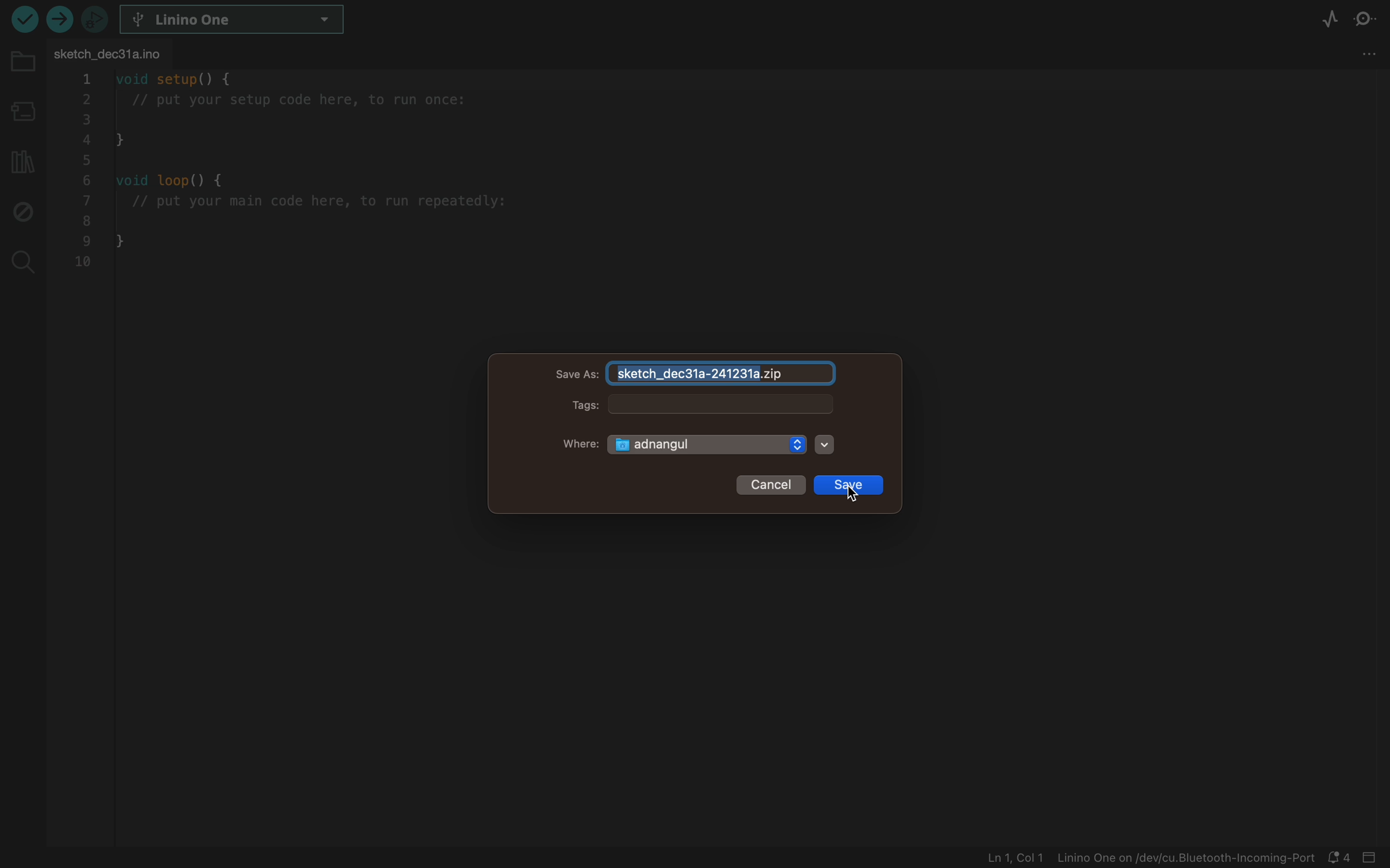 Image resolution: width=1390 pixels, height=868 pixels. I want to click on board select, so click(233, 21).